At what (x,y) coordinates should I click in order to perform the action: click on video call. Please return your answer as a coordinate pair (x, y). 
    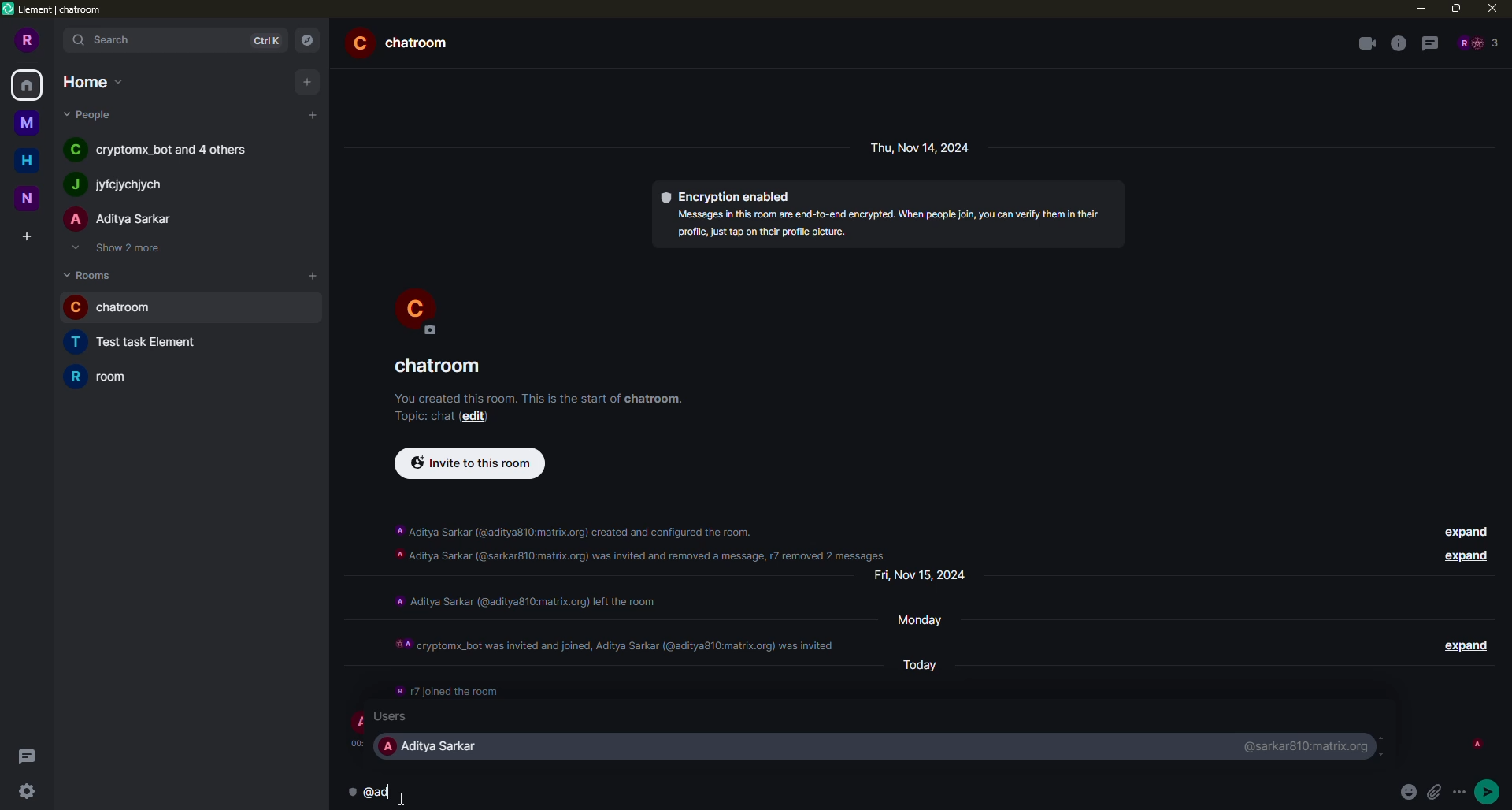
    Looking at the image, I should click on (1366, 43).